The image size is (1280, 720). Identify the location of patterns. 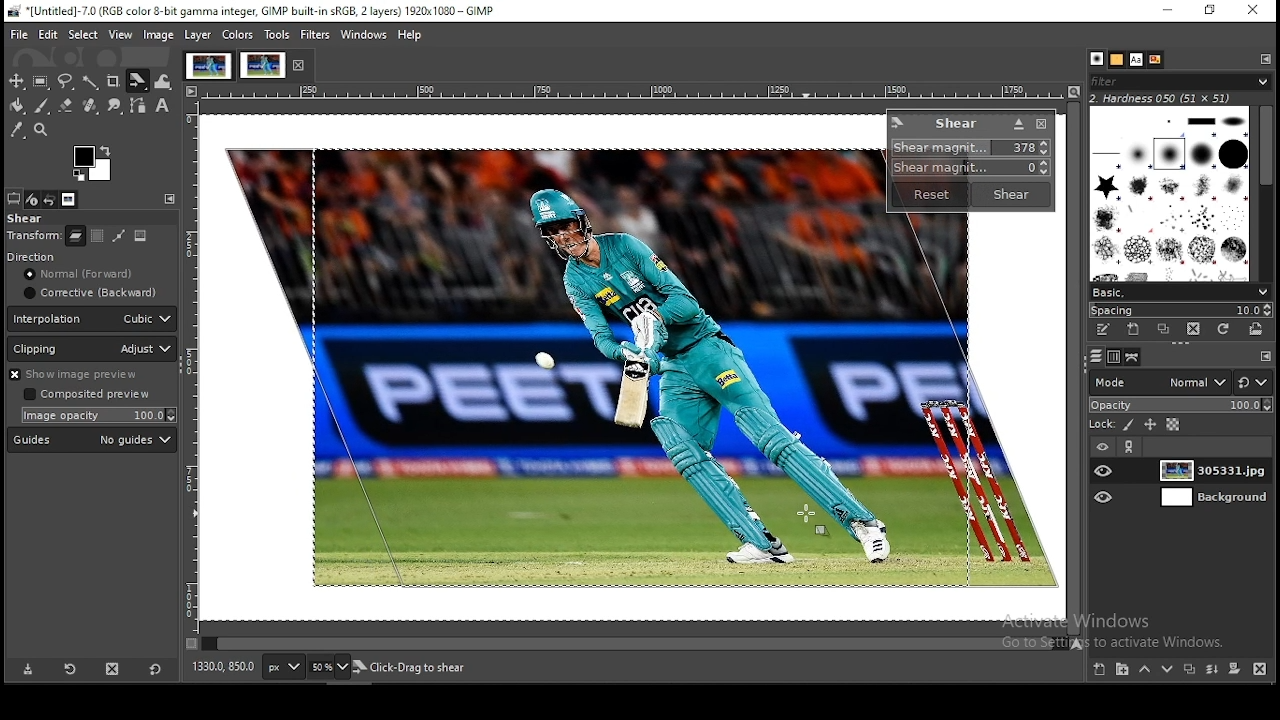
(1095, 58).